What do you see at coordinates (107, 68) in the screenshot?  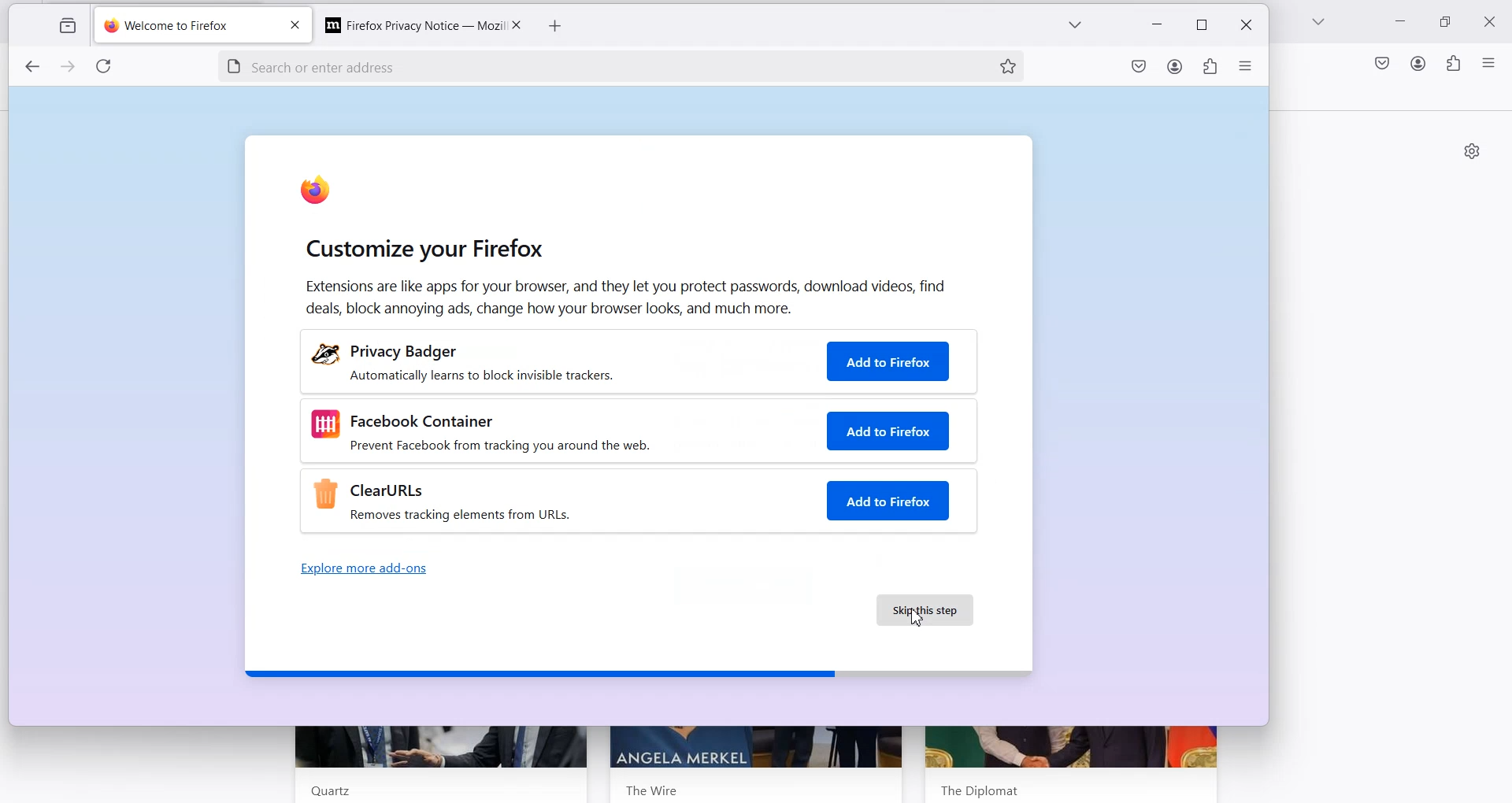 I see `refresh page` at bounding box center [107, 68].